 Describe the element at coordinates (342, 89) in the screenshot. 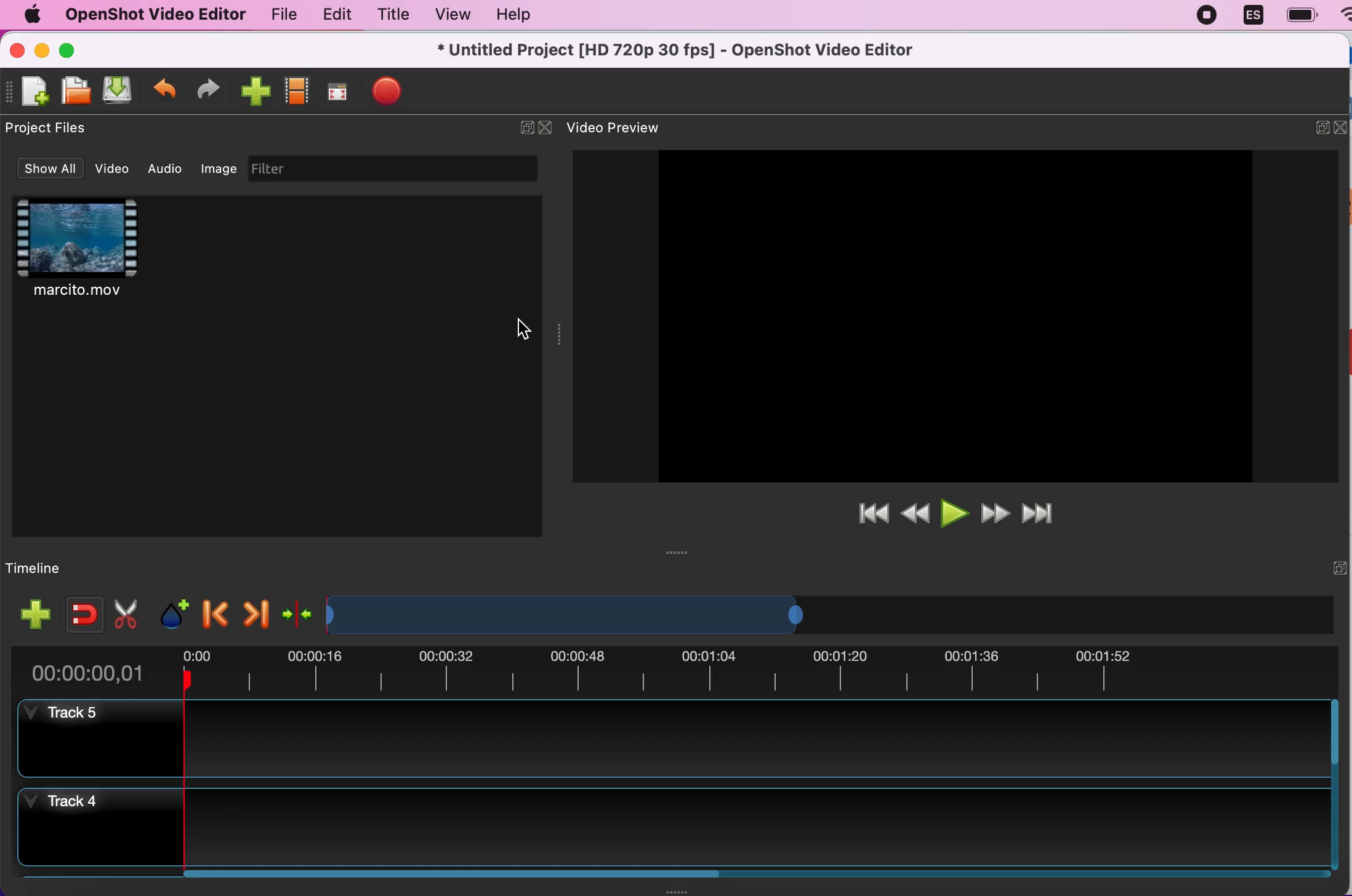

I see `full screen` at that location.